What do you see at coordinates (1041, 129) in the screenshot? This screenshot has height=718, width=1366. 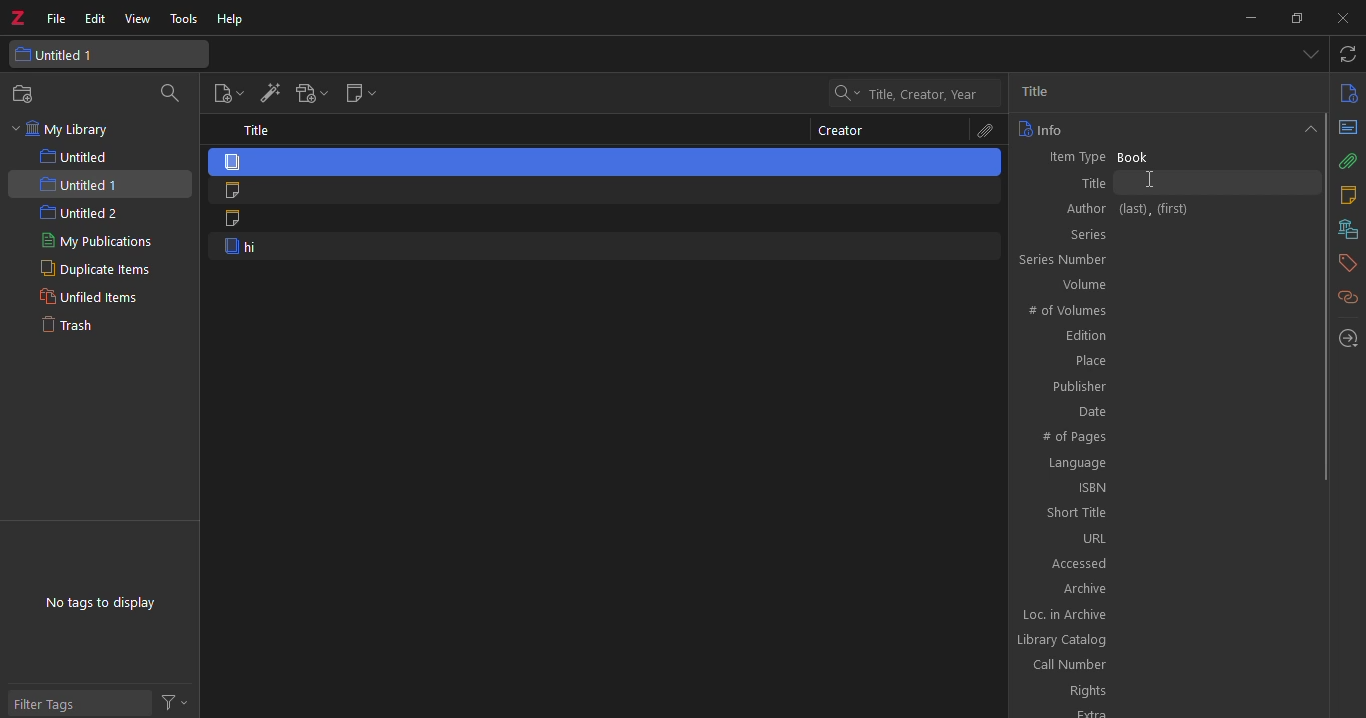 I see `info` at bounding box center [1041, 129].